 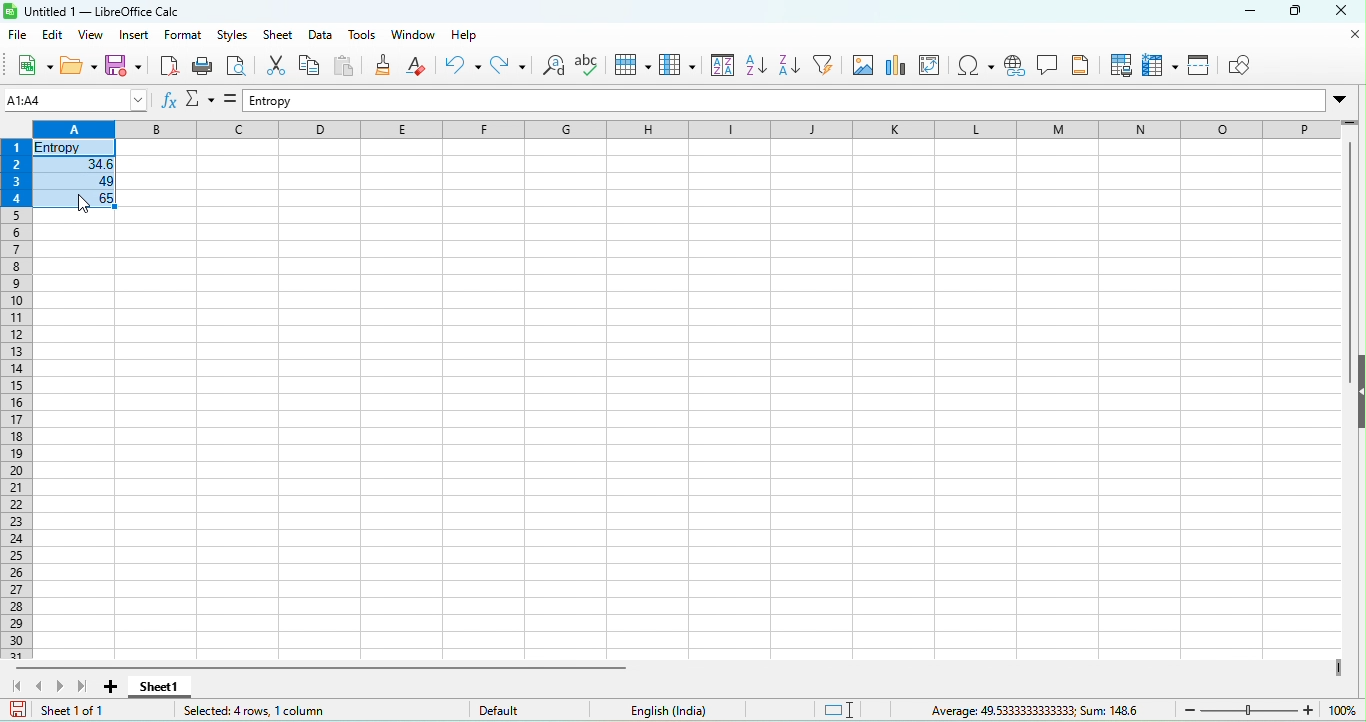 What do you see at coordinates (1346, 12) in the screenshot?
I see `close` at bounding box center [1346, 12].